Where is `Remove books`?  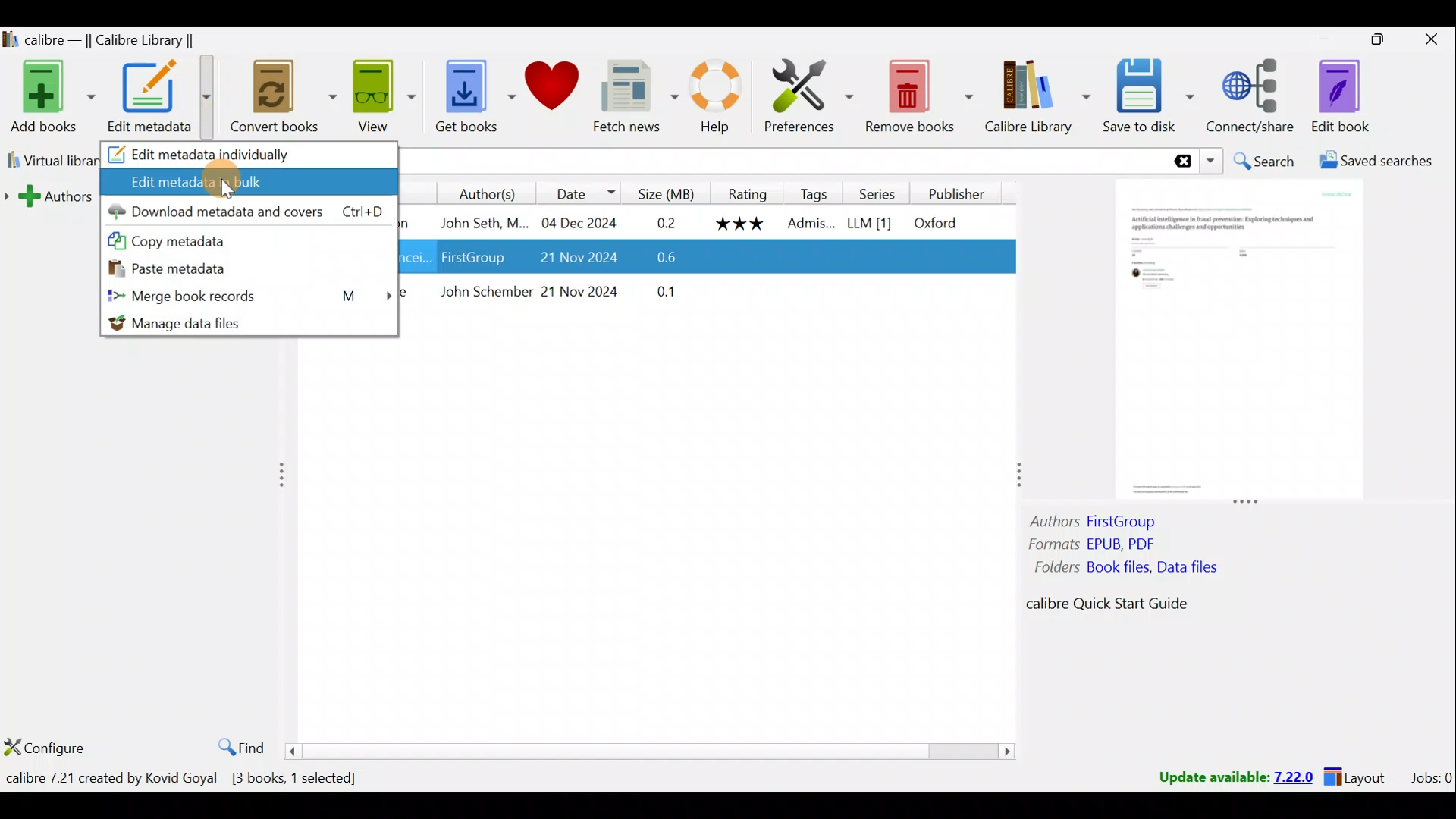
Remove books is located at coordinates (917, 97).